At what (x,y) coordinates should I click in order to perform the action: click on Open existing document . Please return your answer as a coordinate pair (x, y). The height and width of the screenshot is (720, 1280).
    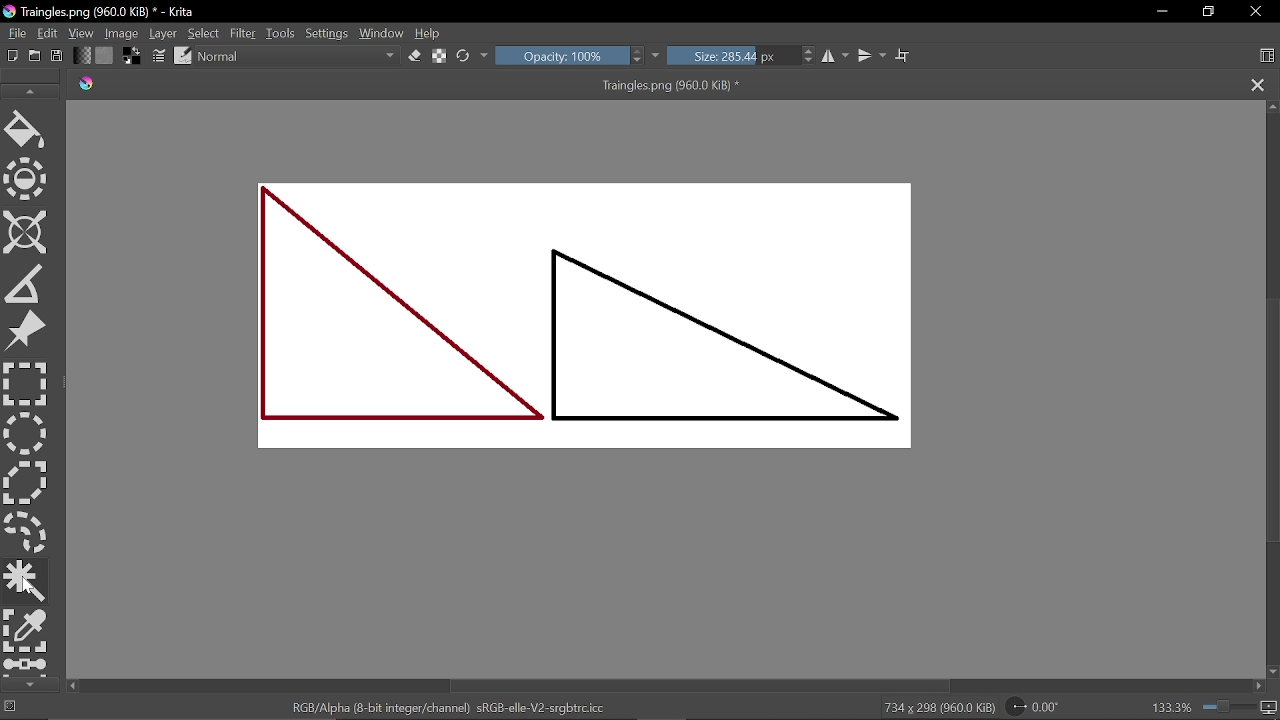
    Looking at the image, I should click on (35, 56).